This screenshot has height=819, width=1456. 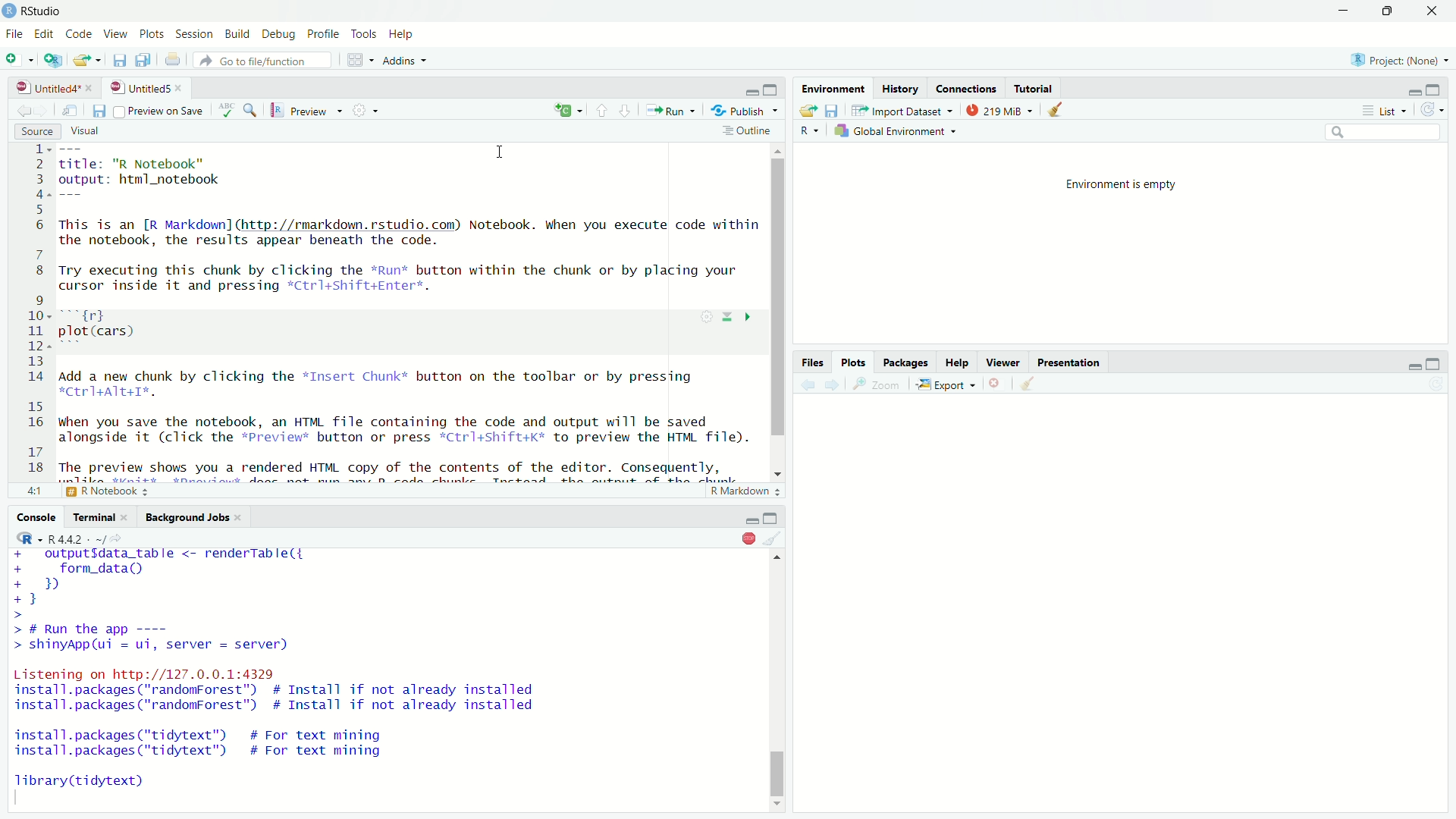 What do you see at coordinates (119, 60) in the screenshot?
I see `save current document` at bounding box center [119, 60].